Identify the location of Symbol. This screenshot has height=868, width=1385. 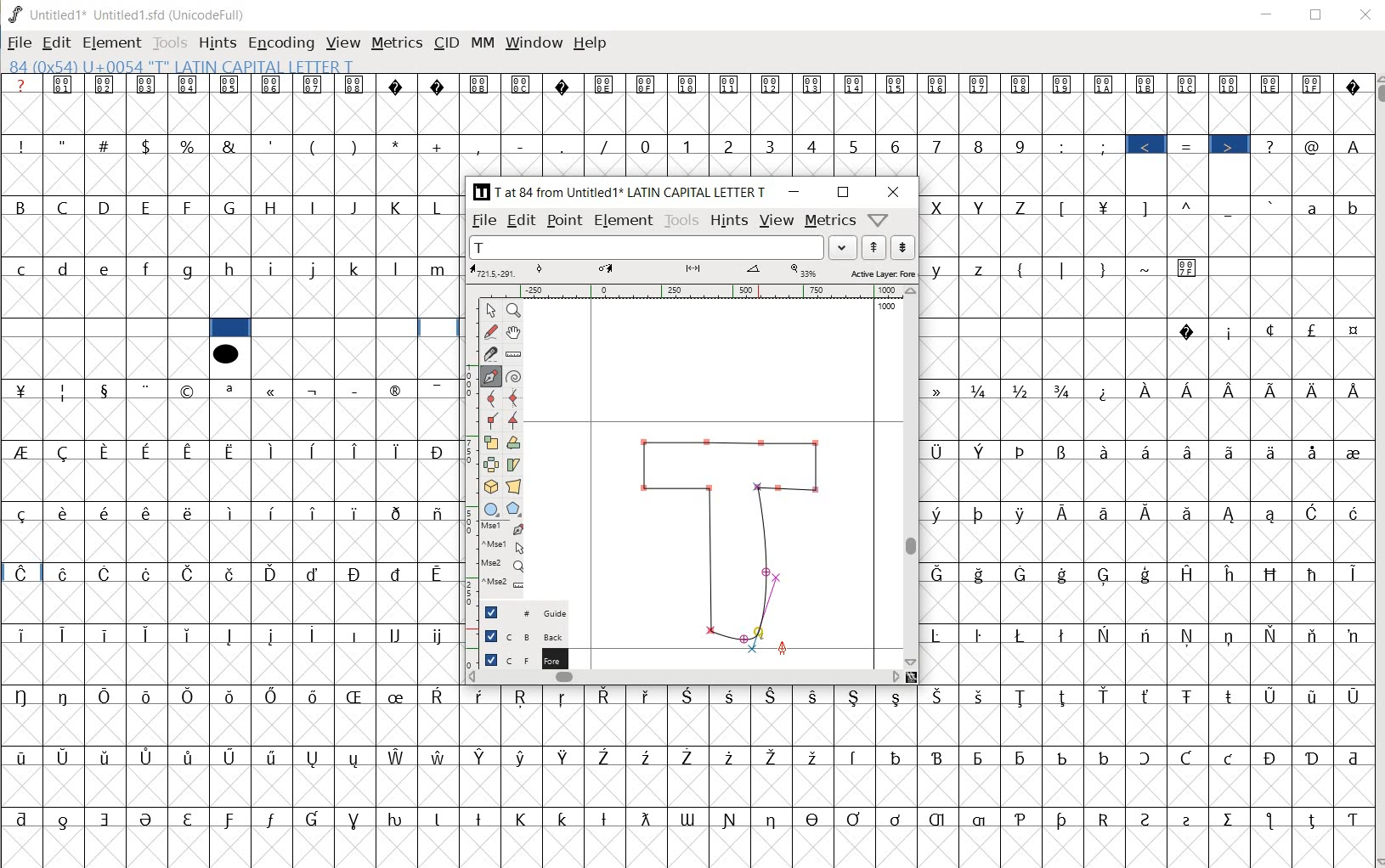
(108, 451).